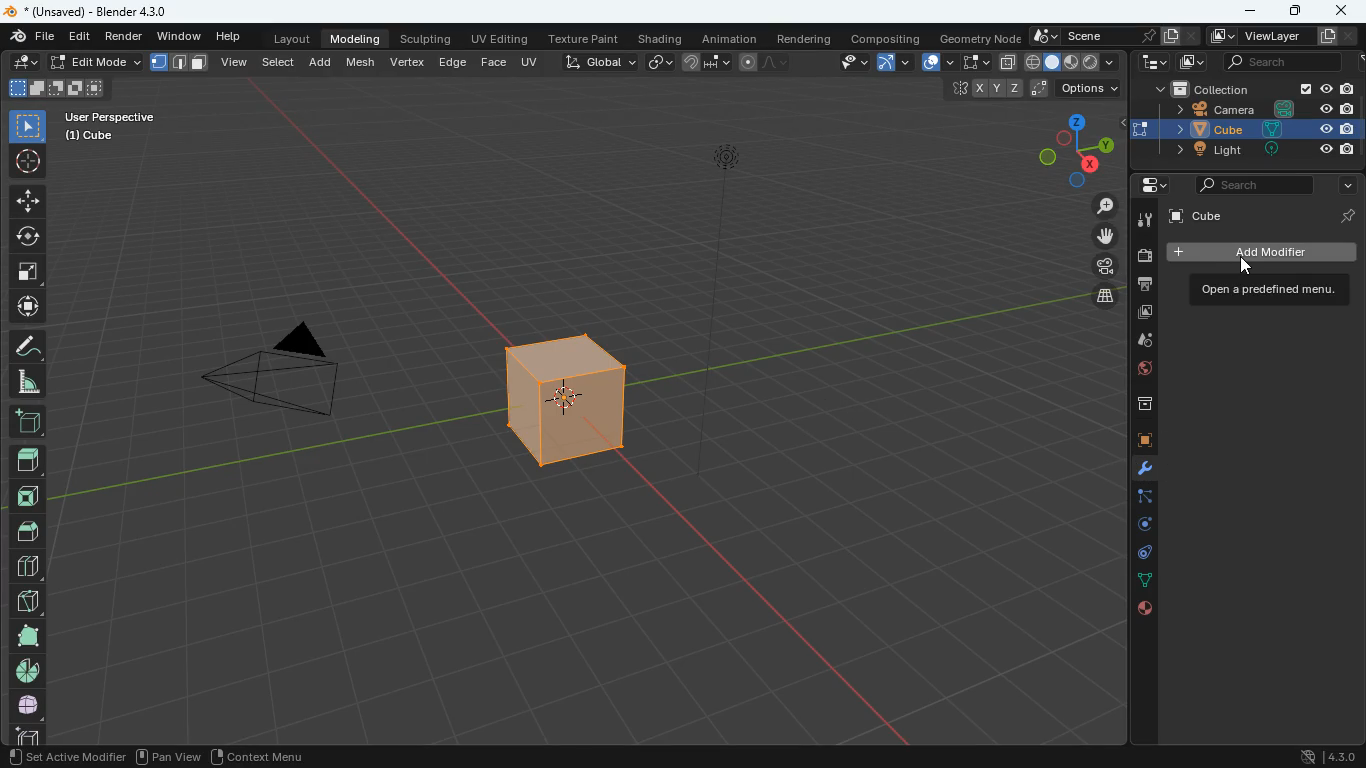 The height and width of the screenshot is (768, 1366). I want to click on cursor, so click(1255, 268).